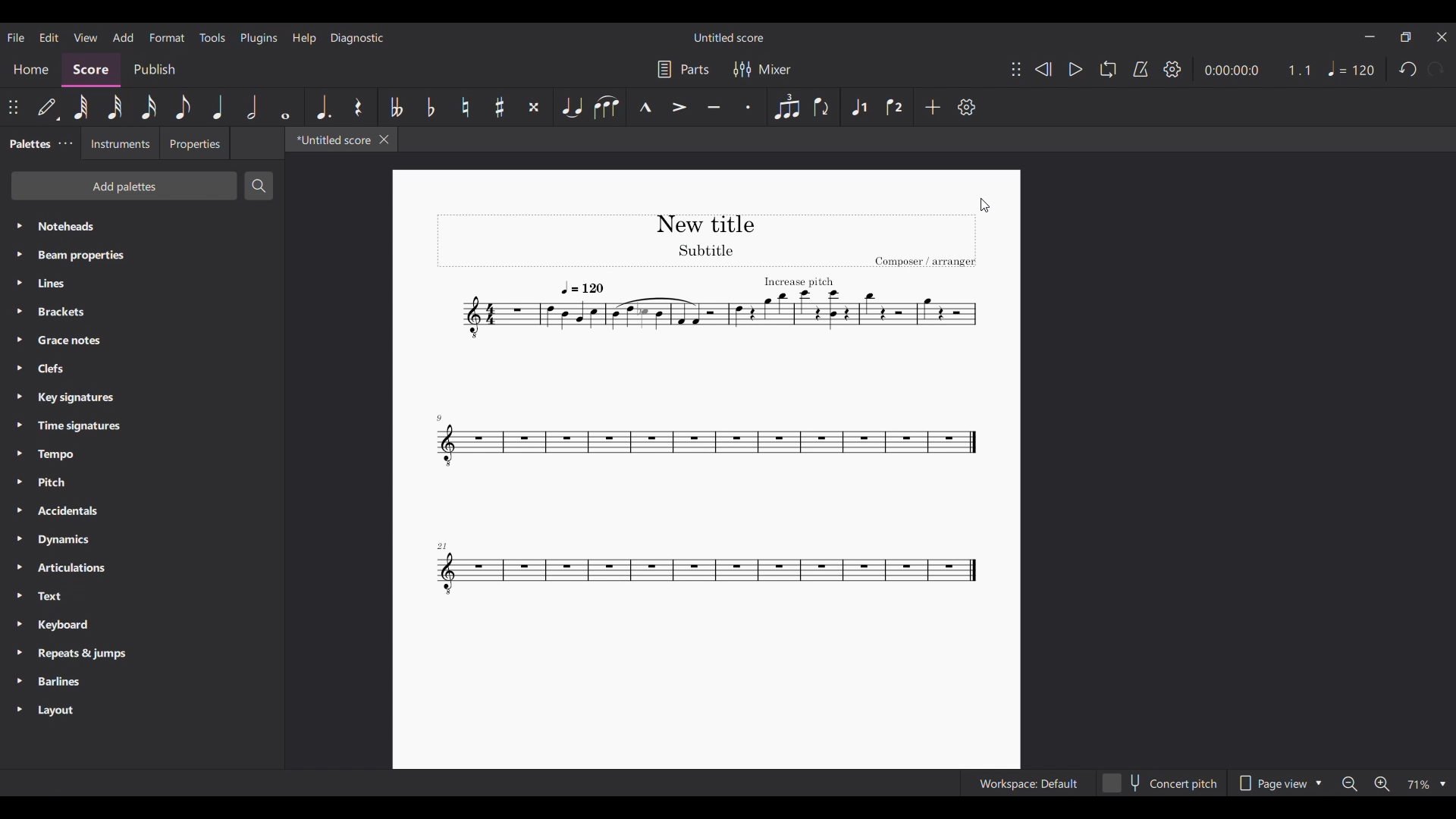  Describe the element at coordinates (357, 38) in the screenshot. I see `Diagnostic menu` at that location.